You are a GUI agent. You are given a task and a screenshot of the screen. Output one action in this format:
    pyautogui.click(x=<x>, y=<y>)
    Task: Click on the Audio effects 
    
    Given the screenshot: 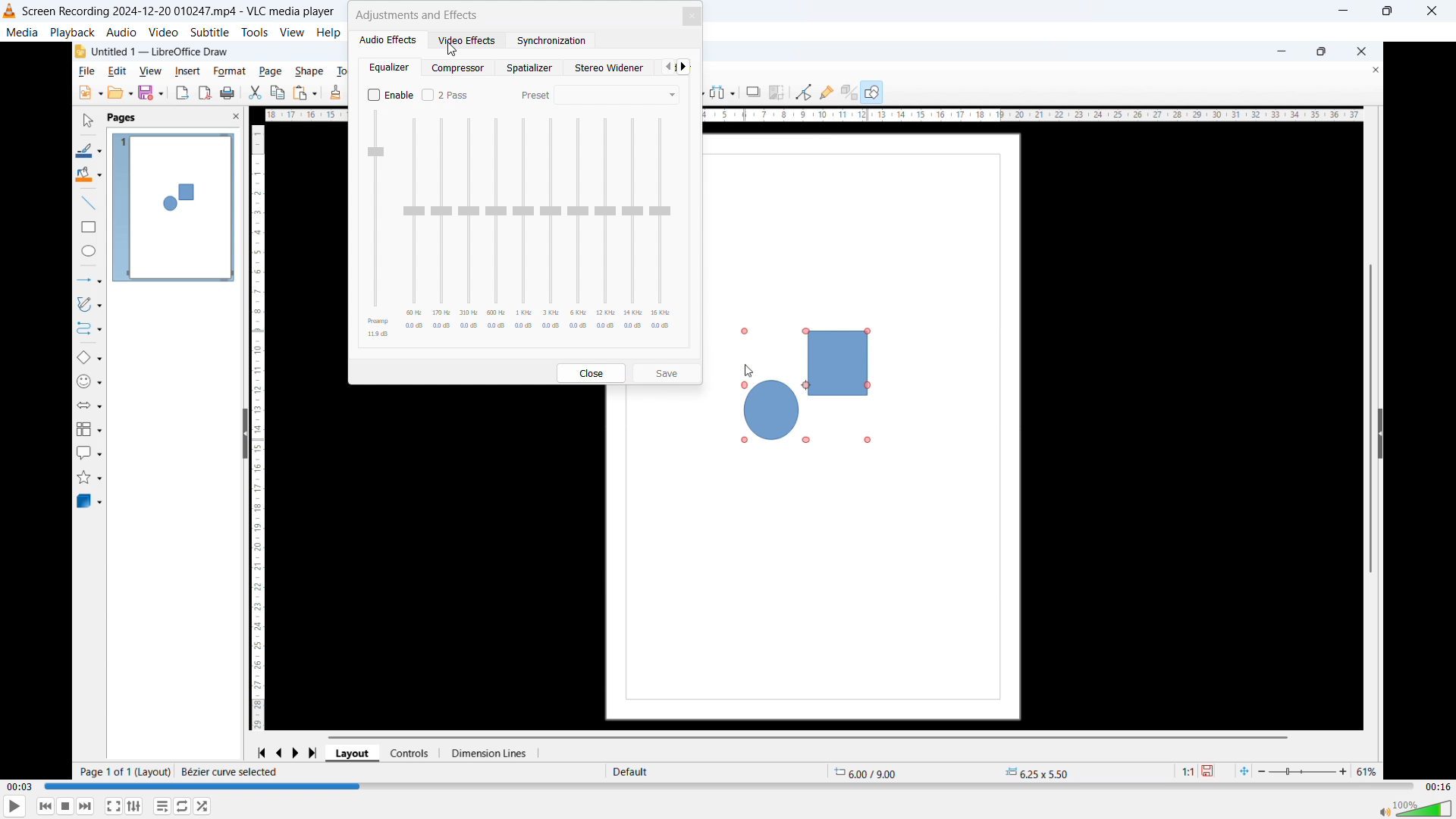 What is the action you would take?
    pyautogui.click(x=388, y=40)
    